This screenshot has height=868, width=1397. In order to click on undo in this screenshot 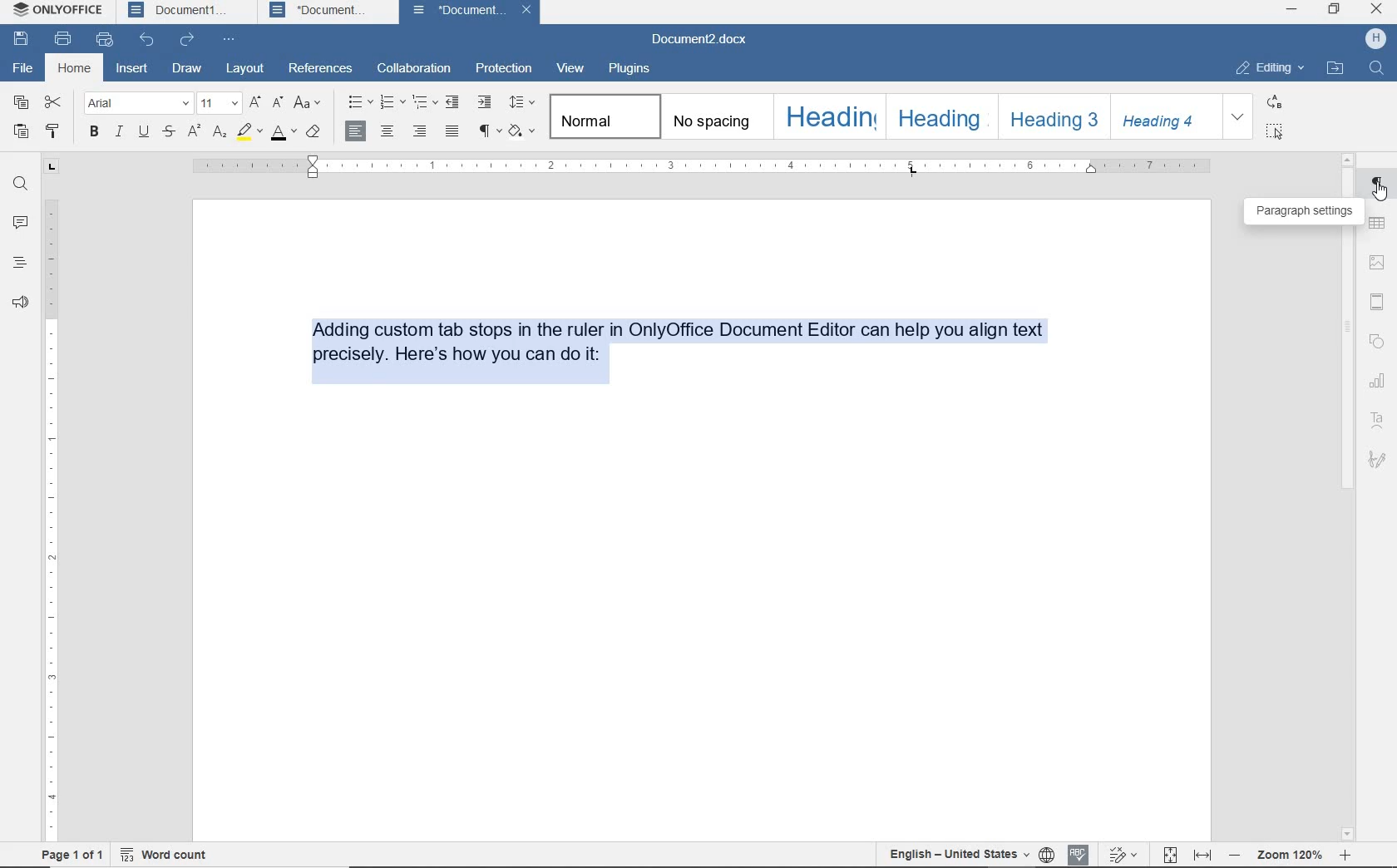, I will do `click(147, 42)`.